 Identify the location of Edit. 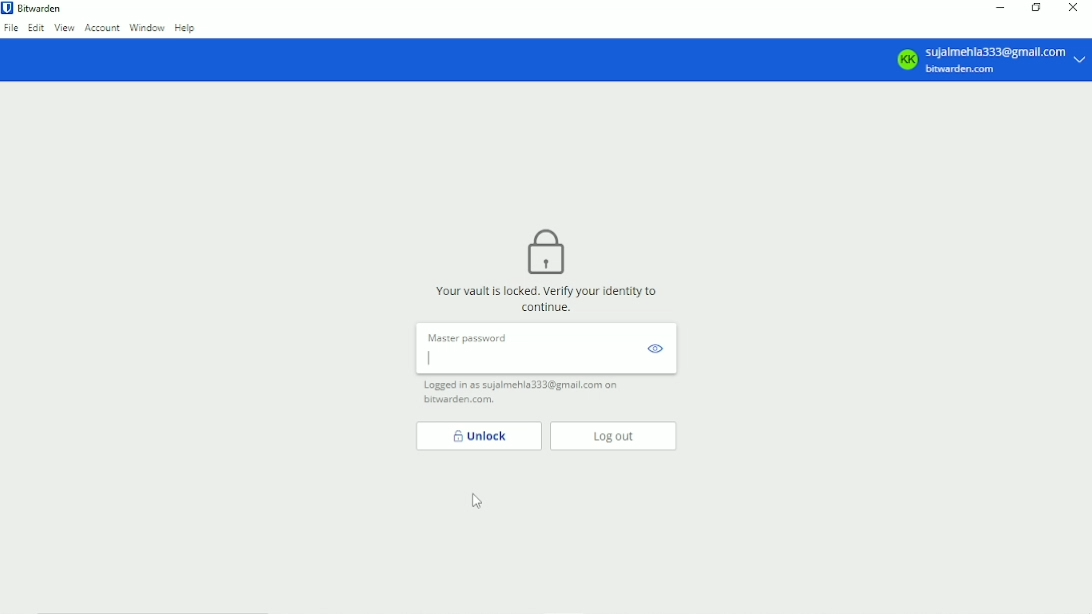
(37, 28).